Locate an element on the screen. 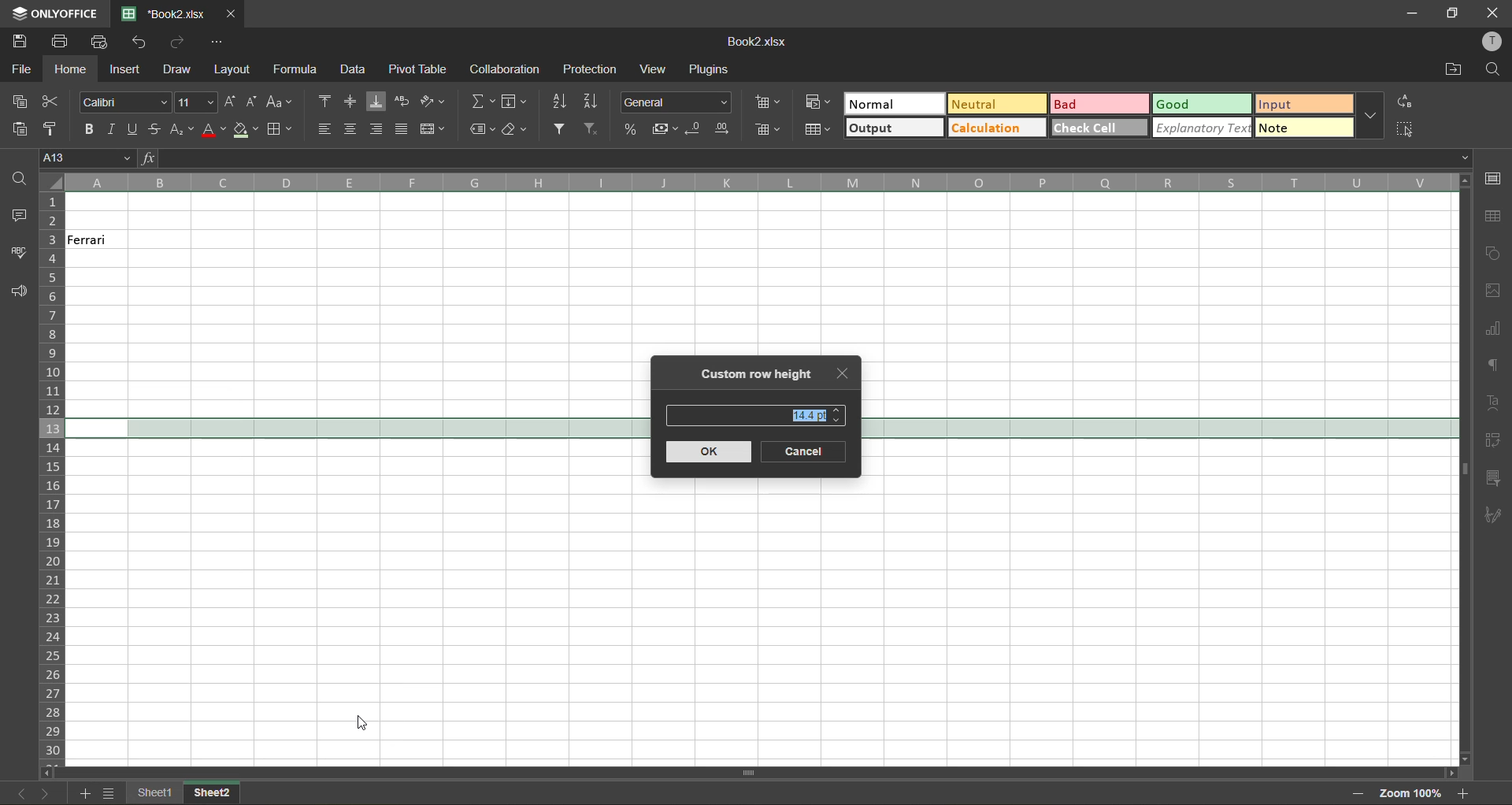  insert is located at coordinates (127, 67).